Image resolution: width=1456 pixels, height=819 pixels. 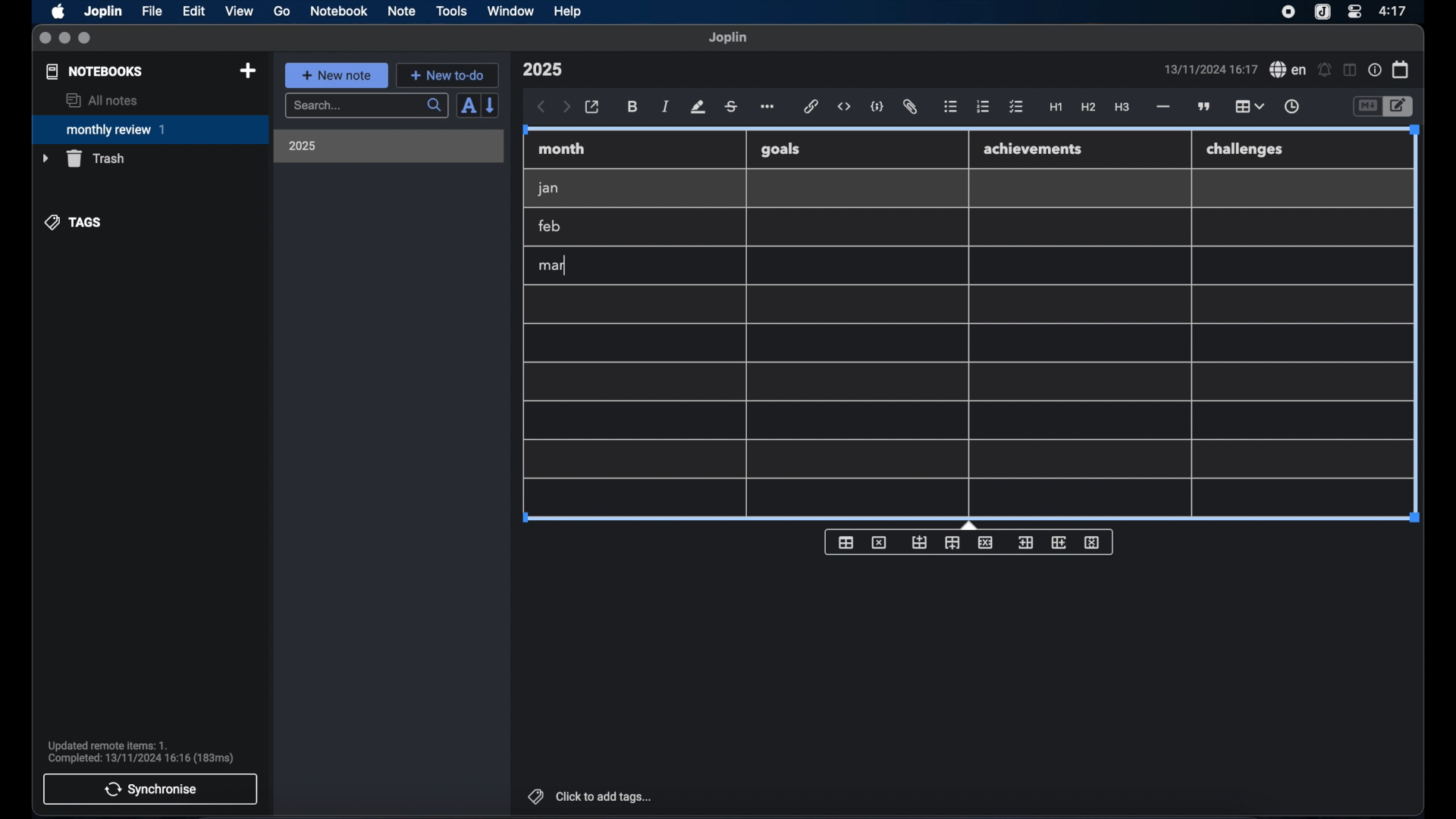 I want to click on screen recorder icon, so click(x=1288, y=12).